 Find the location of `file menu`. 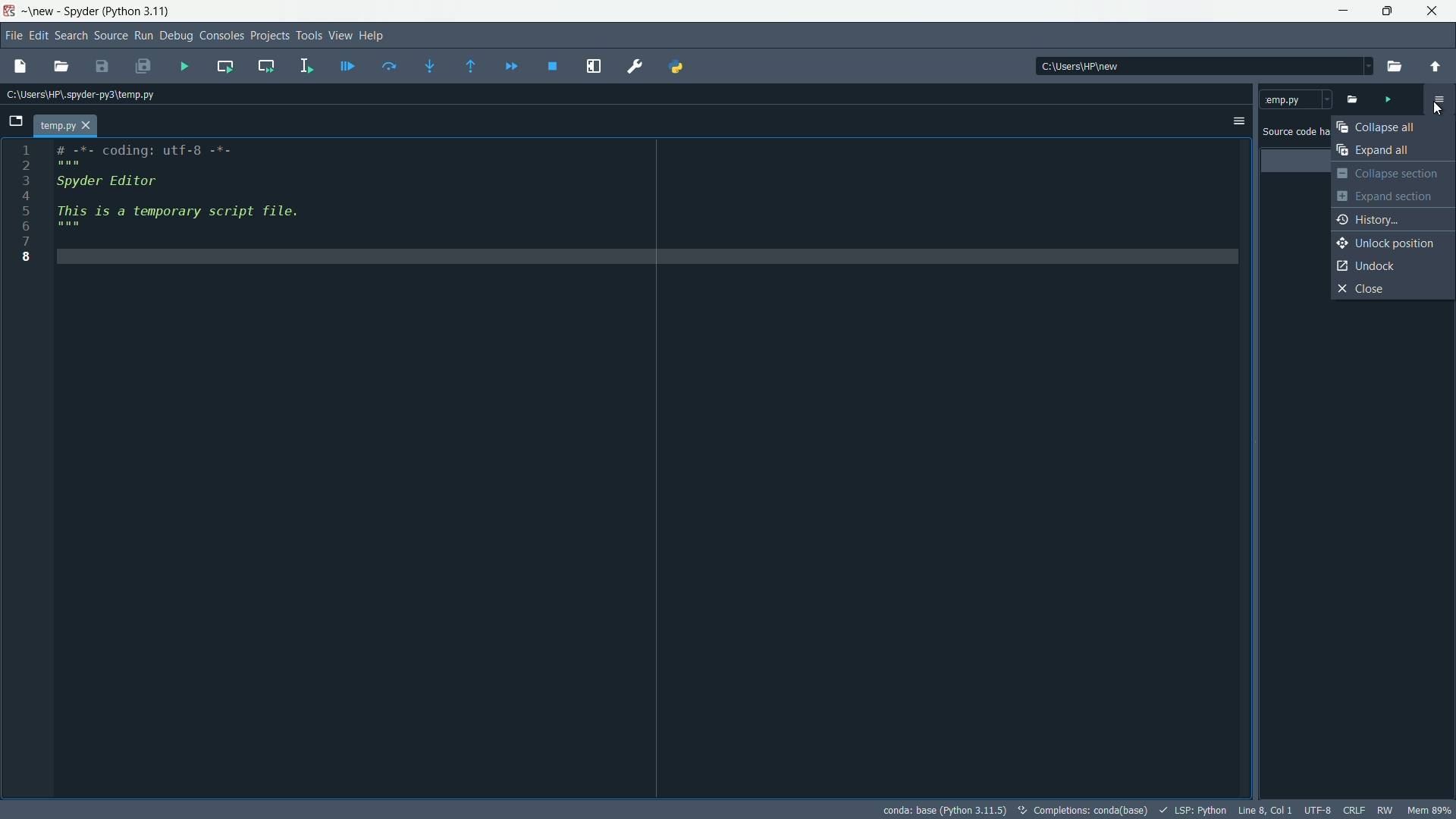

file menu is located at coordinates (11, 36).